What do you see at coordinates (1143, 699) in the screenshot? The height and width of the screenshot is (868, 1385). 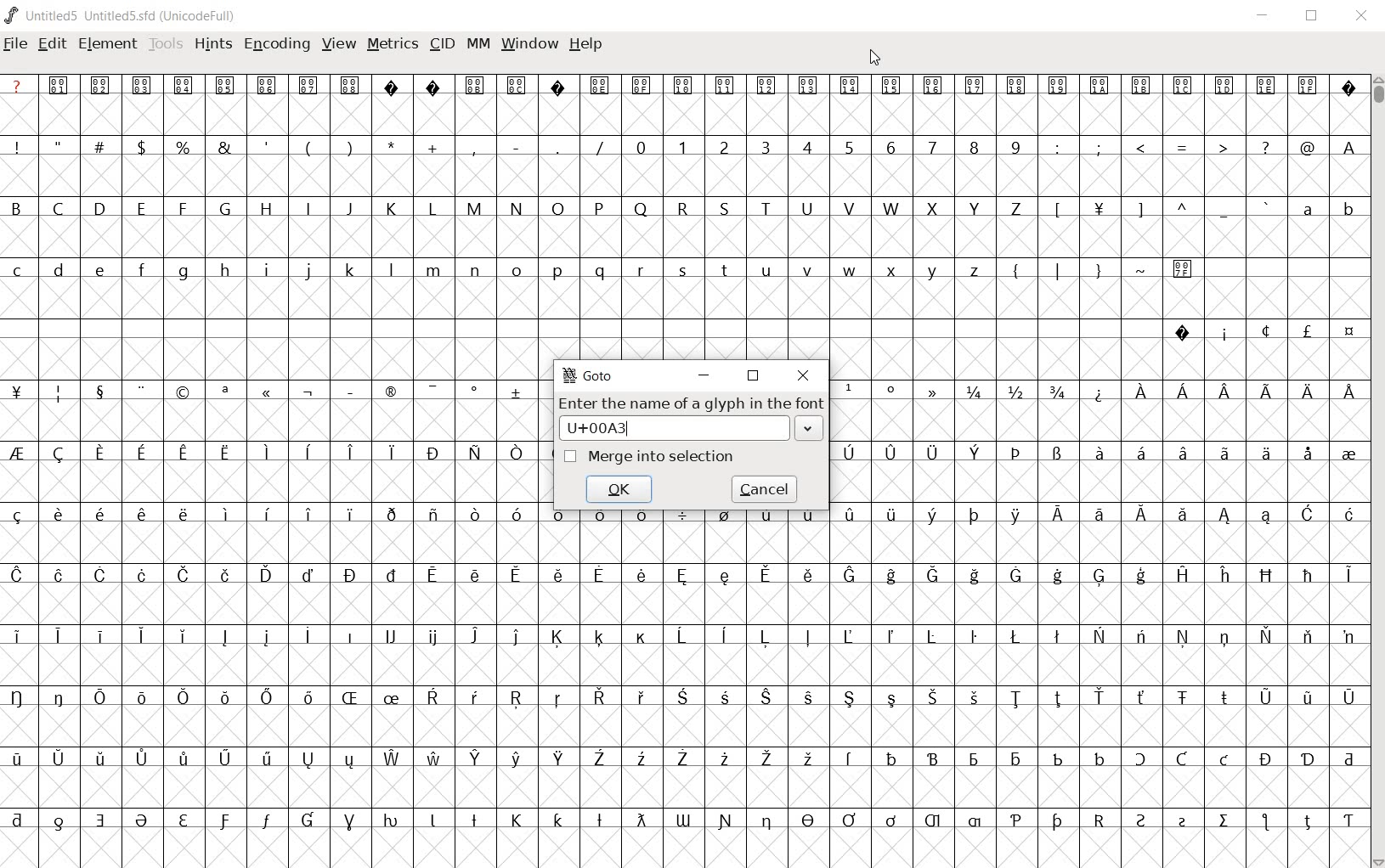 I see `Symbol` at bounding box center [1143, 699].